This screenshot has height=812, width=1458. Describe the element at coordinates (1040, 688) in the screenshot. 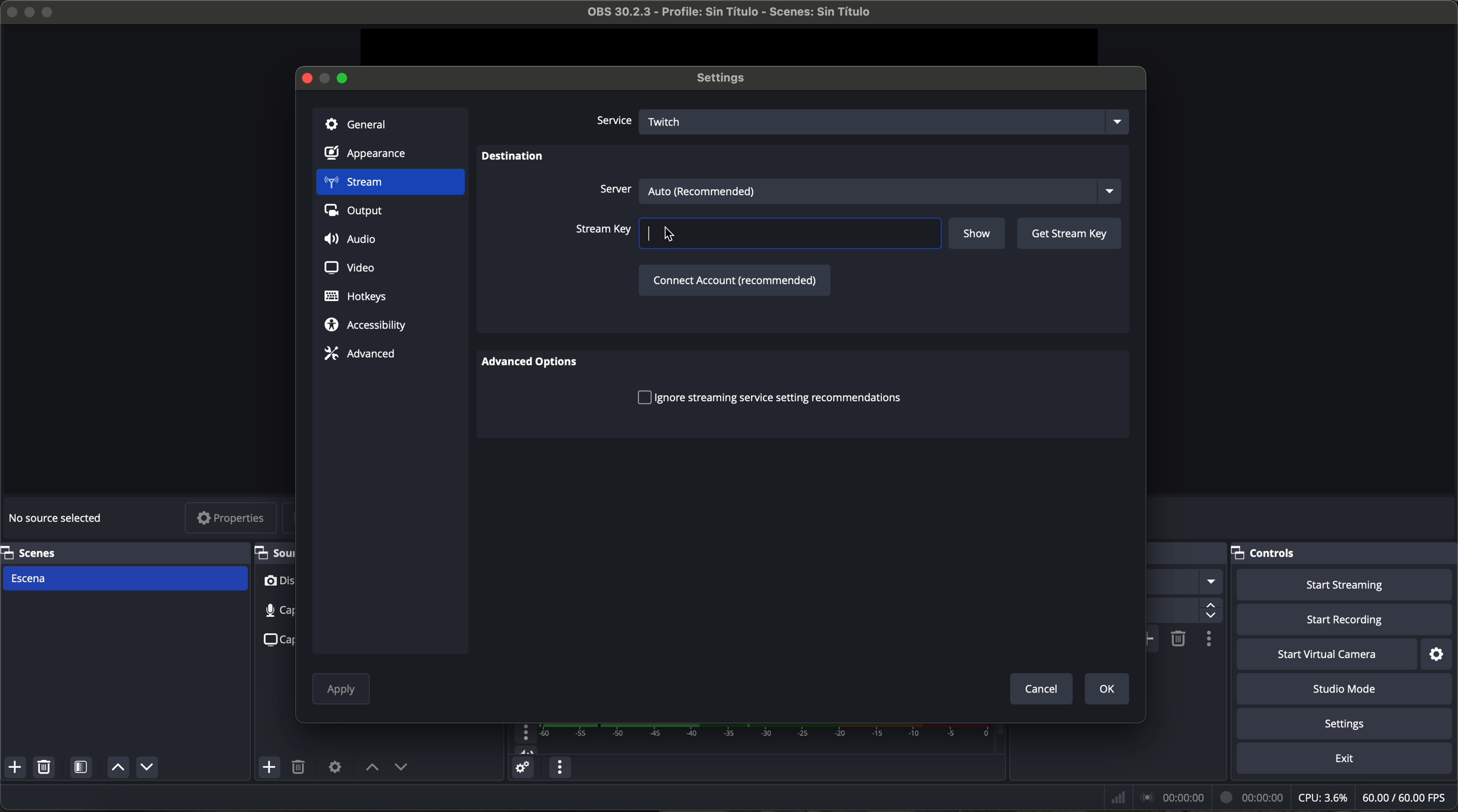

I see `cancel` at that location.